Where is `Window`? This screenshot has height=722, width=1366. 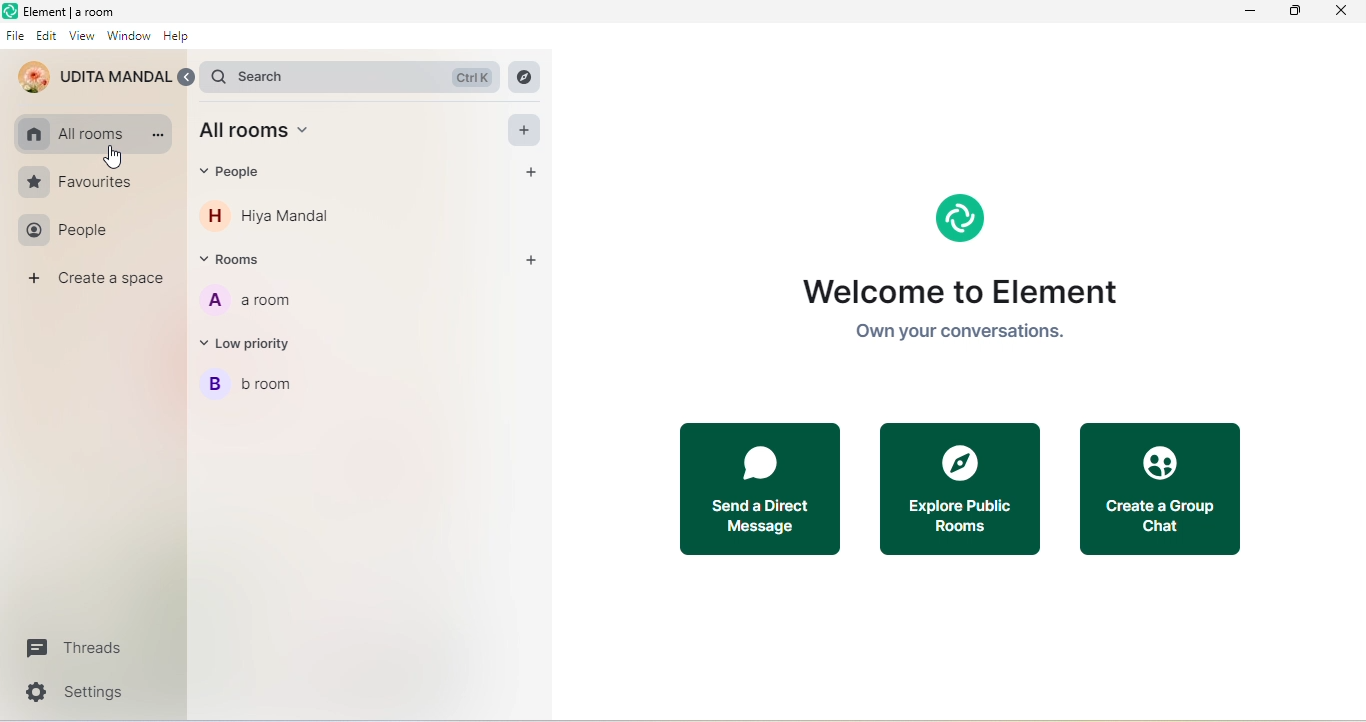 Window is located at coordinates (128, 38).